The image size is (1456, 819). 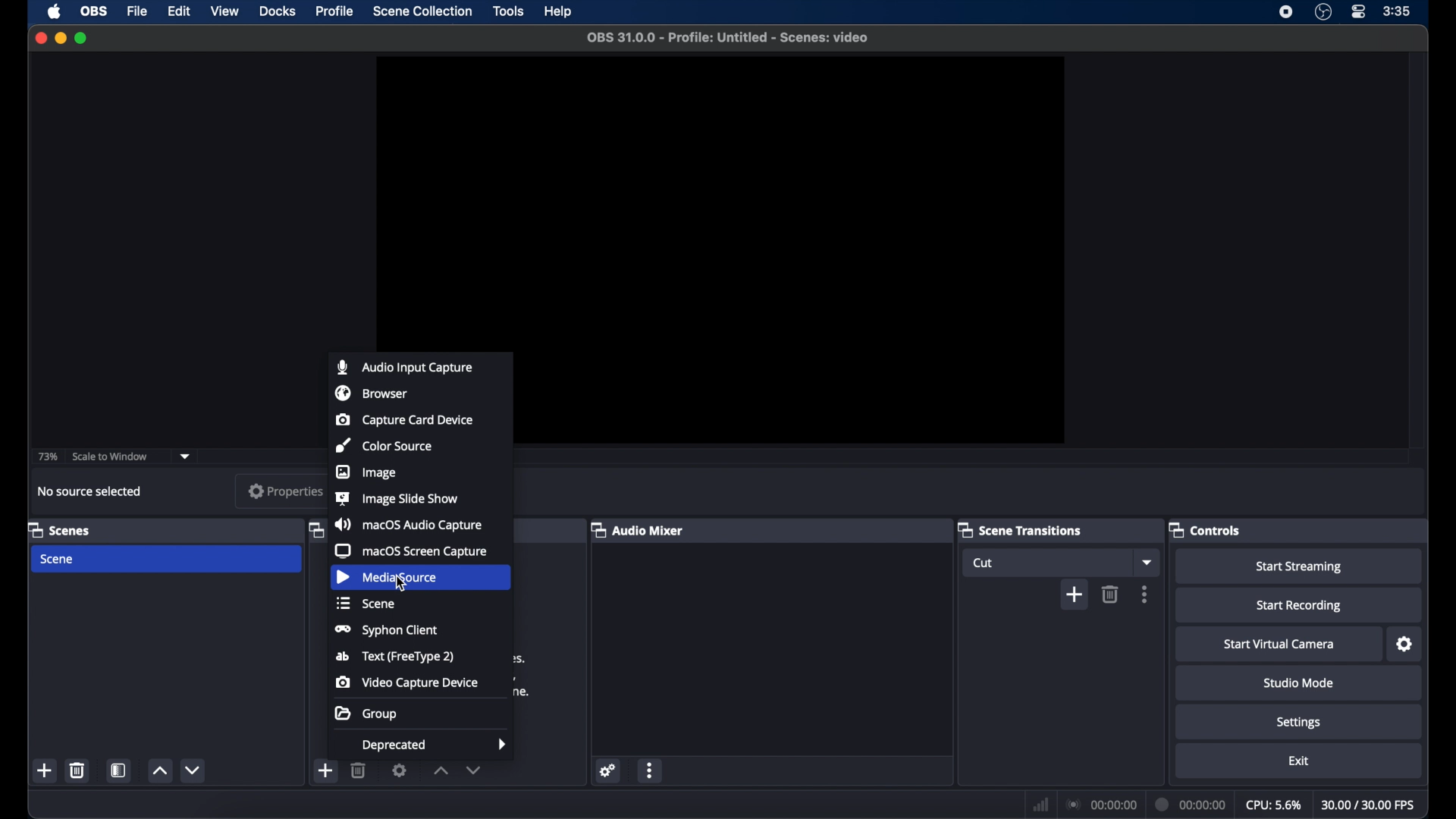 I want to click on dropdown, so click(x=1147, y=561).